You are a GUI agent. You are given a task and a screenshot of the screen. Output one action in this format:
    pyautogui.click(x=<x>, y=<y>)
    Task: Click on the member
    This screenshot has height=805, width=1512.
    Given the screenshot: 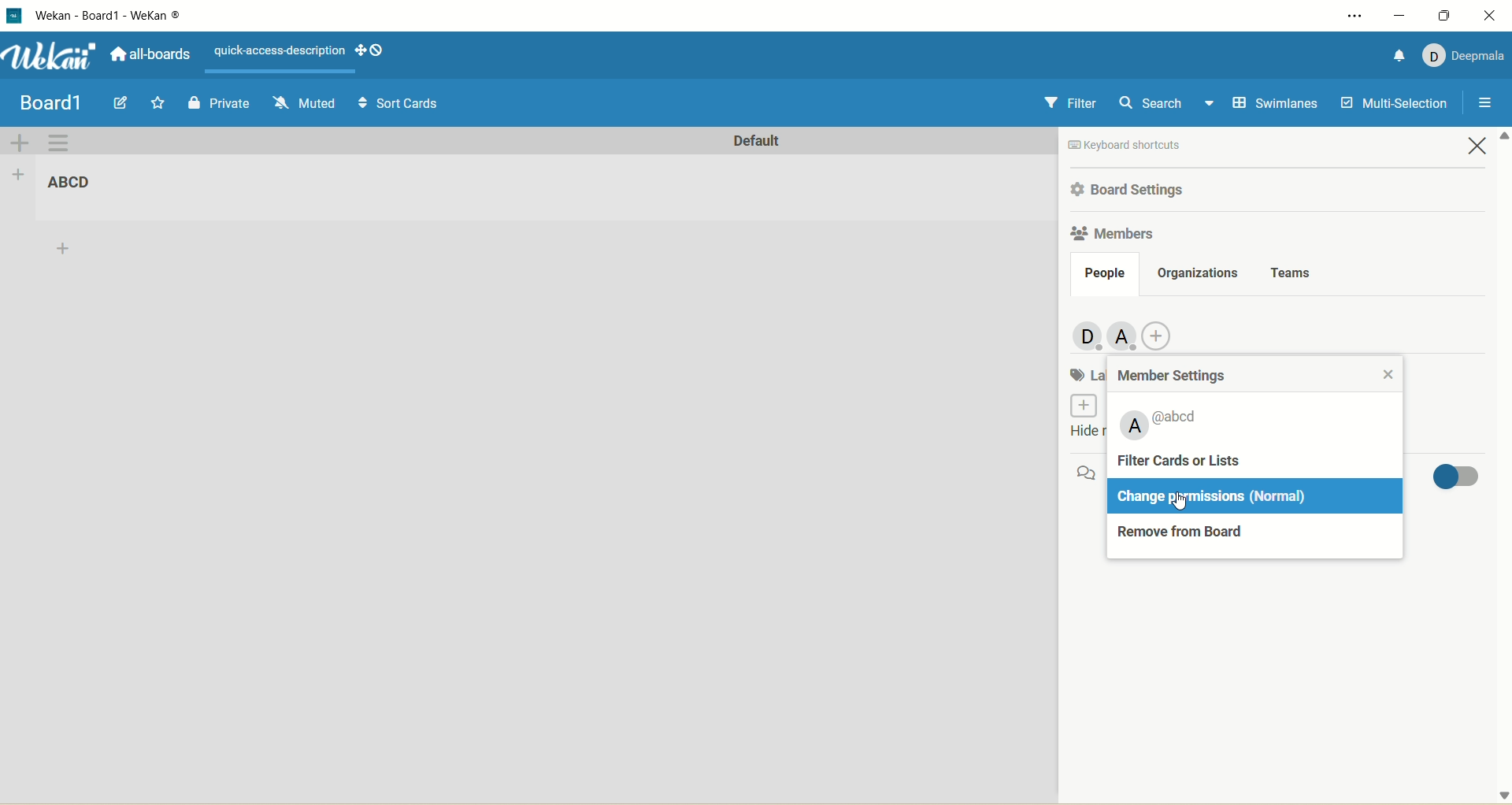 What is the action you would take?
    pyautogui.click(x=1160, y=423)
    